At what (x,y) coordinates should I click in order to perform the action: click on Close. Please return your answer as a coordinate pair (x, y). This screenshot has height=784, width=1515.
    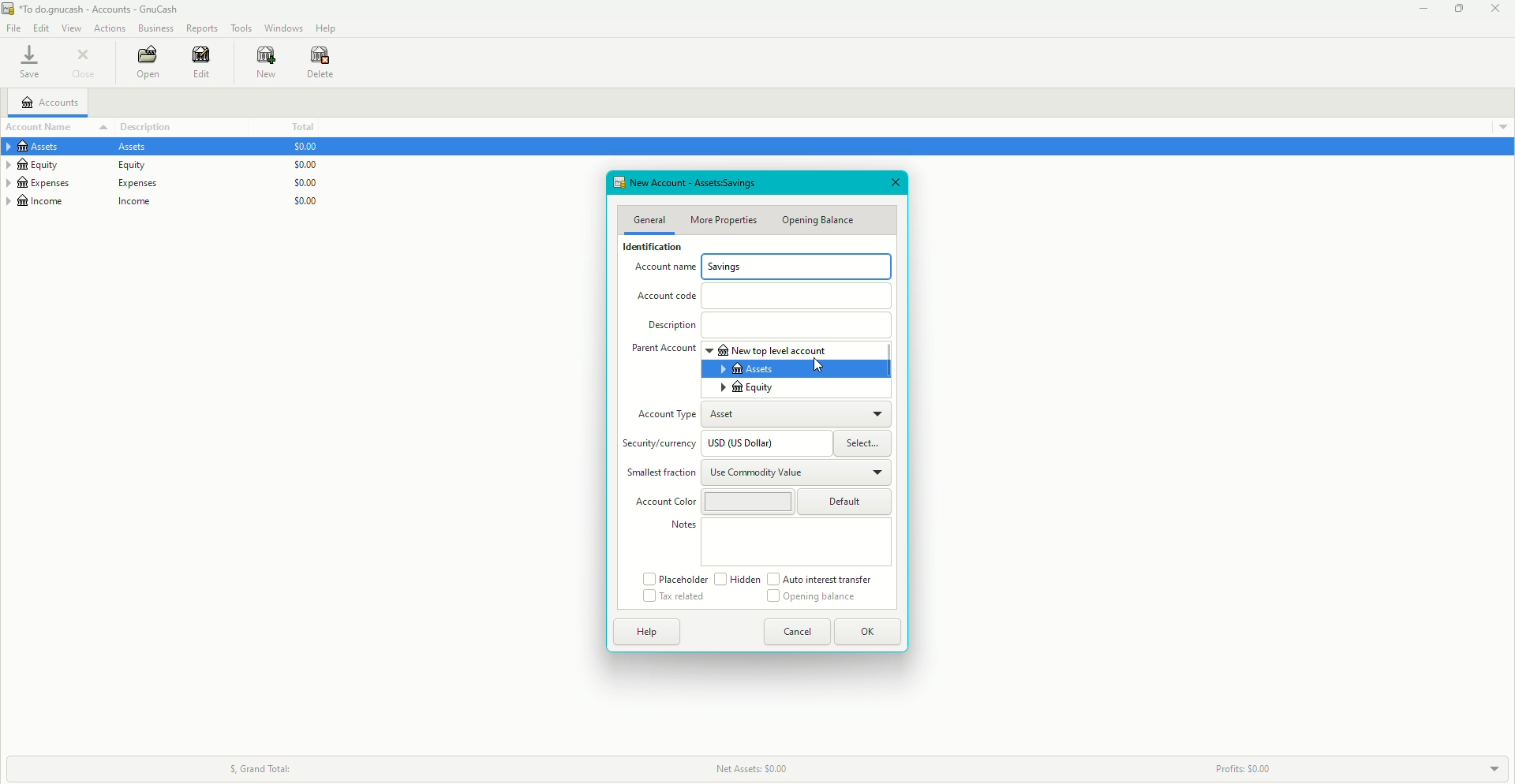
    Looking at the image, I should click on (87, 64).